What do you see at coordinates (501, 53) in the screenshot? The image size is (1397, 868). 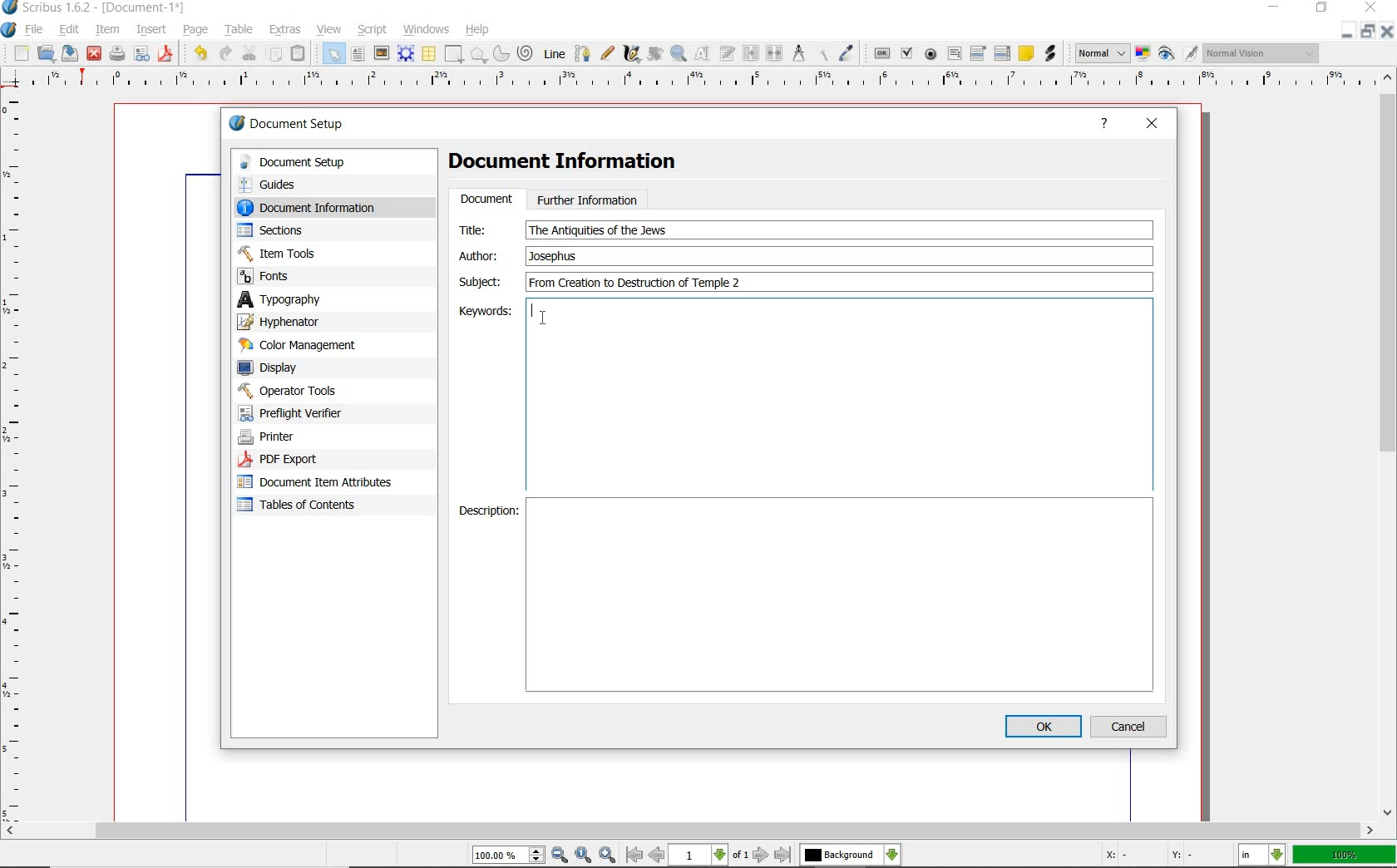 I see `arc` at bounding box center [501, 53].